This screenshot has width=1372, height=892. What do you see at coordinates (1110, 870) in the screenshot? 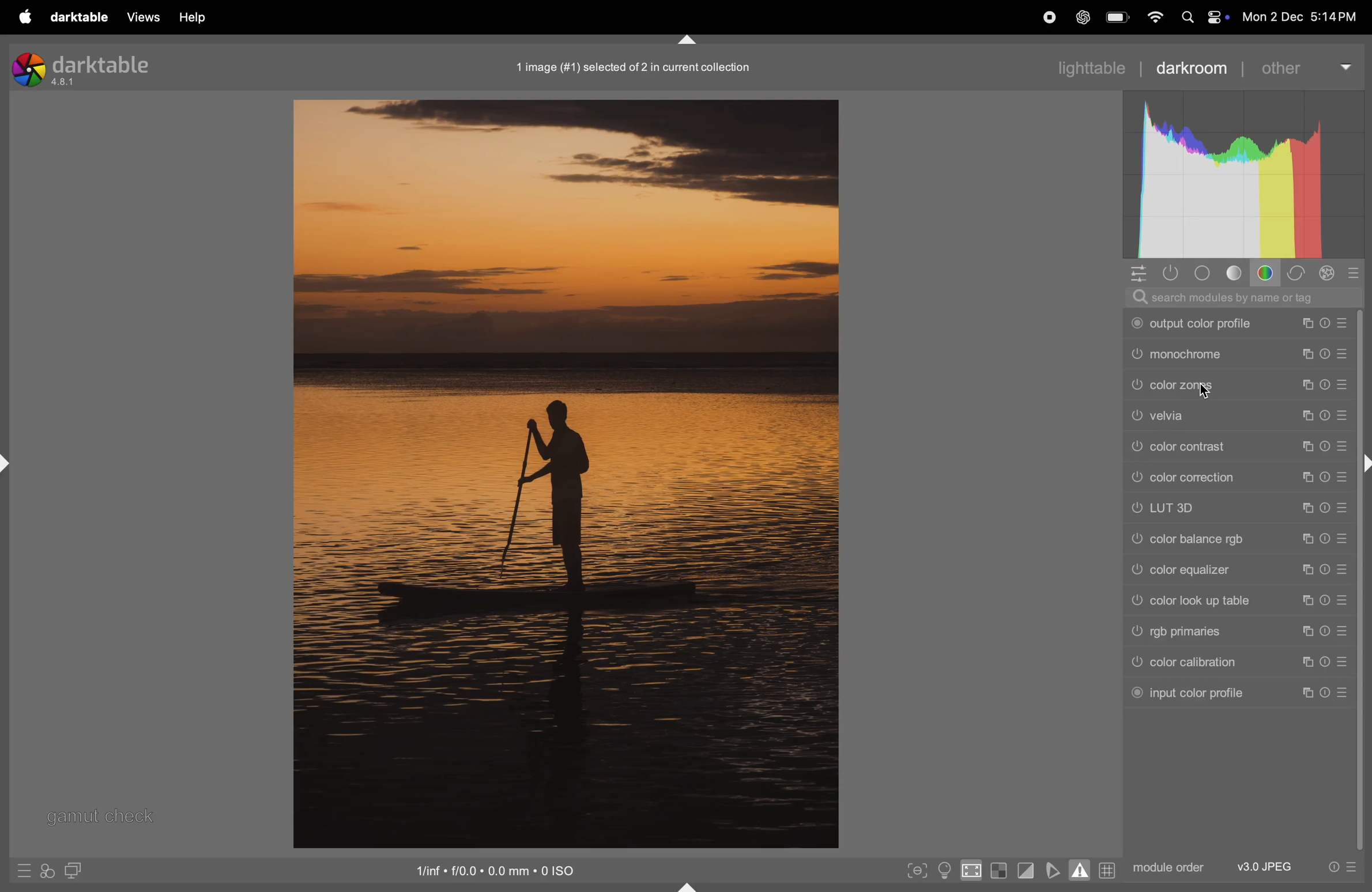
I see `grid` at bounding box center [1110, 870].